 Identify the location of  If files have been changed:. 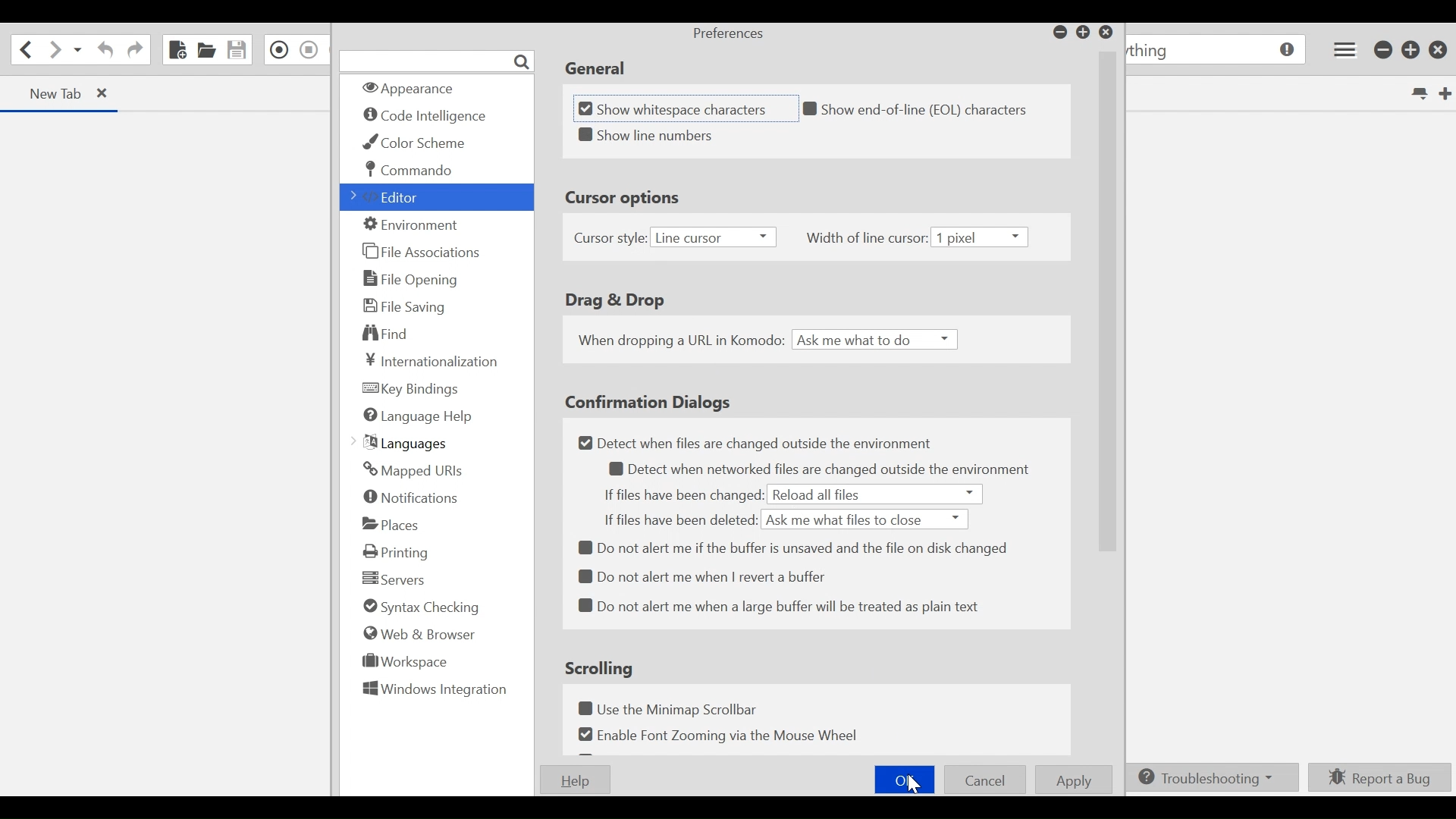
(682, 495).